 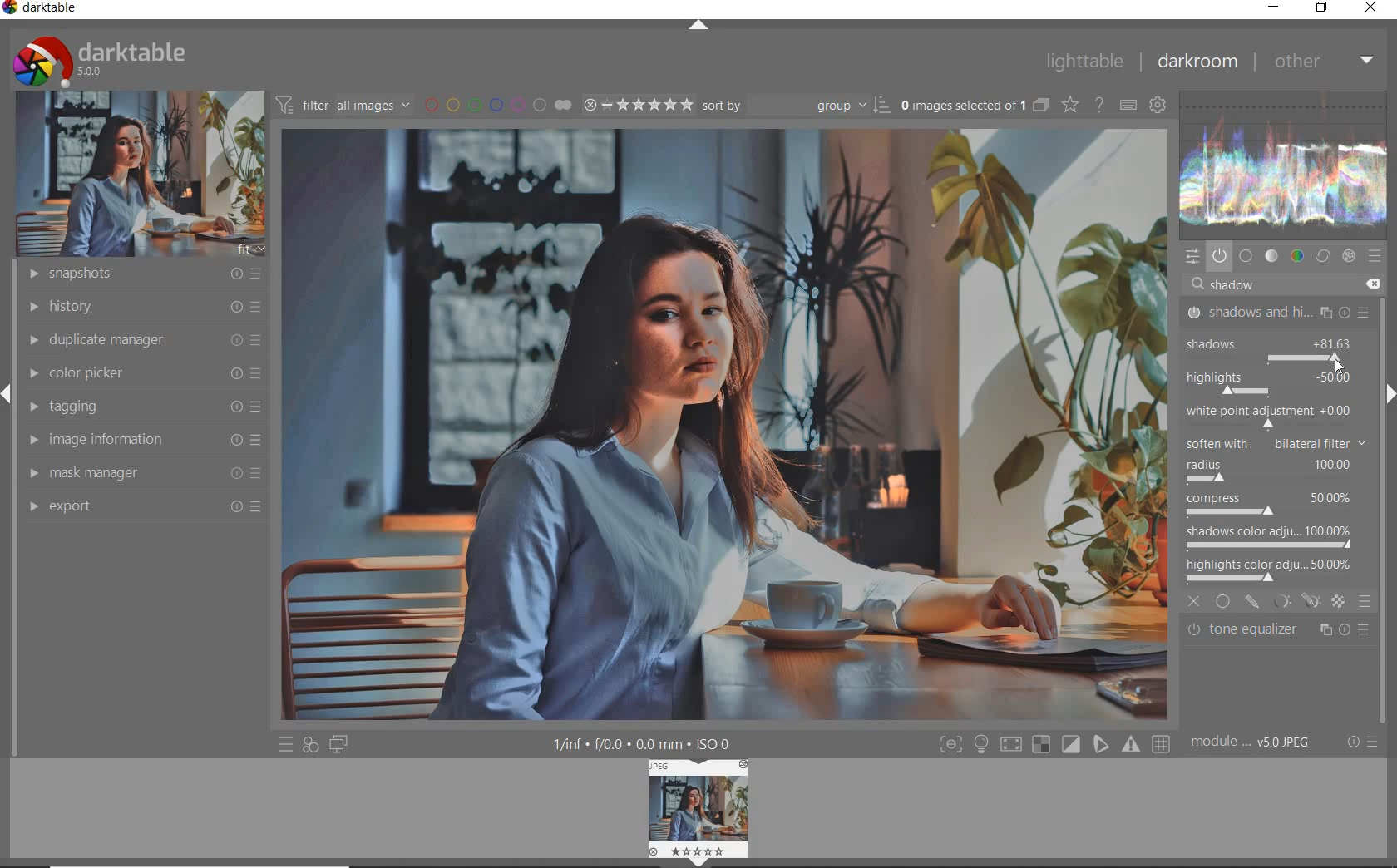 I want to click on shadows, so click(x=1239, y=340).